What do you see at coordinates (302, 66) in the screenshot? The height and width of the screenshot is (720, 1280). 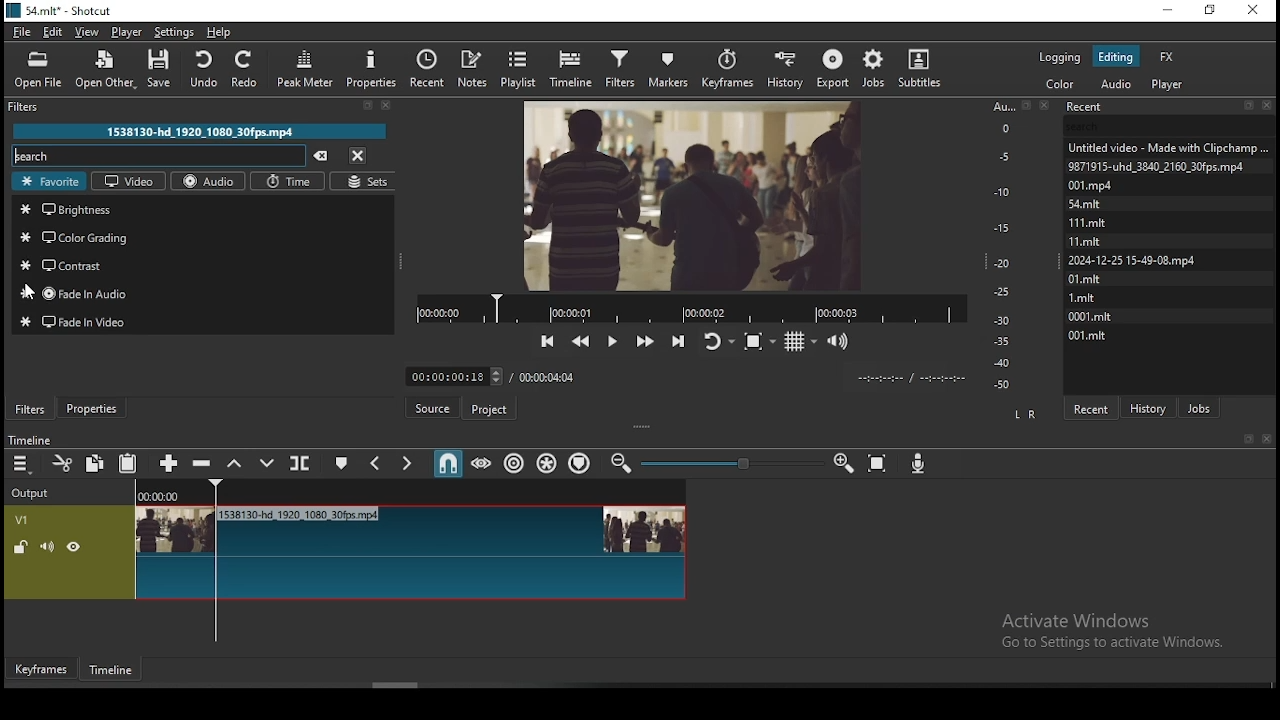 I see `peak meter` at bounding box center [302, 66].